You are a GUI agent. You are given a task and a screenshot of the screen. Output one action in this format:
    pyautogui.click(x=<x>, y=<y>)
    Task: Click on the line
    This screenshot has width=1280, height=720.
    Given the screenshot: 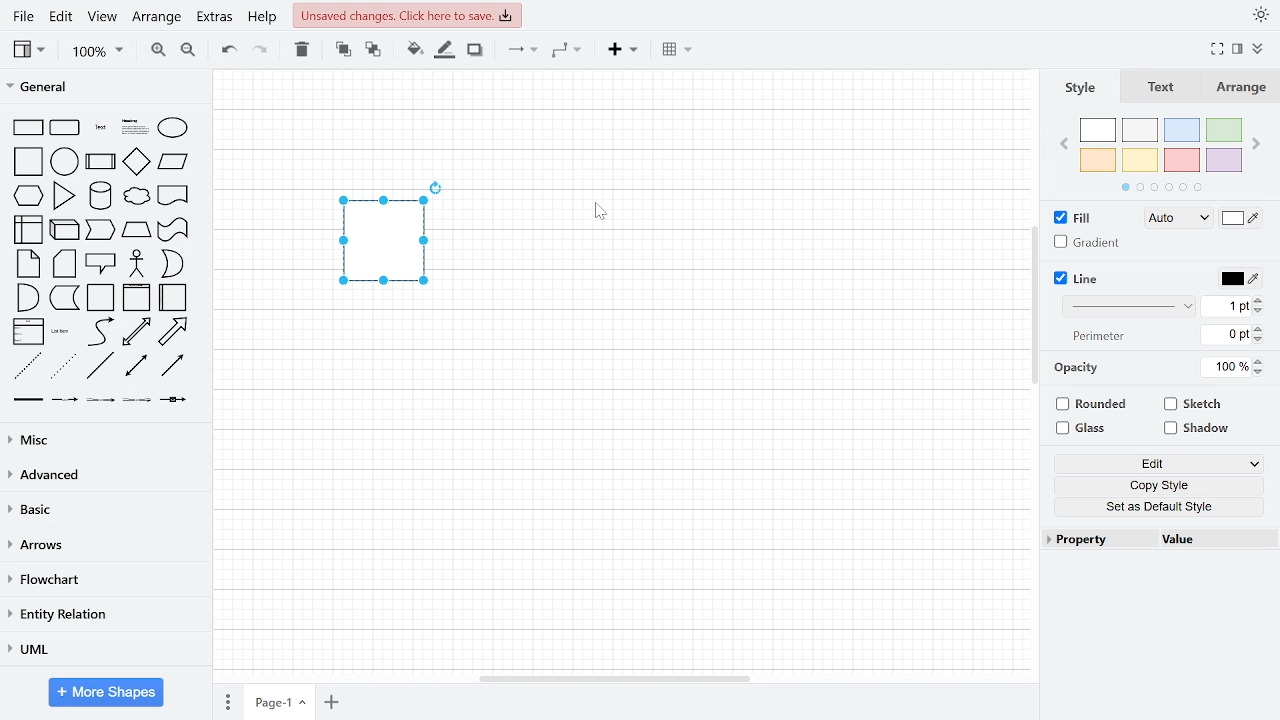 What is the action you would take?
    pyautogui.click(x=100, y=366)
    